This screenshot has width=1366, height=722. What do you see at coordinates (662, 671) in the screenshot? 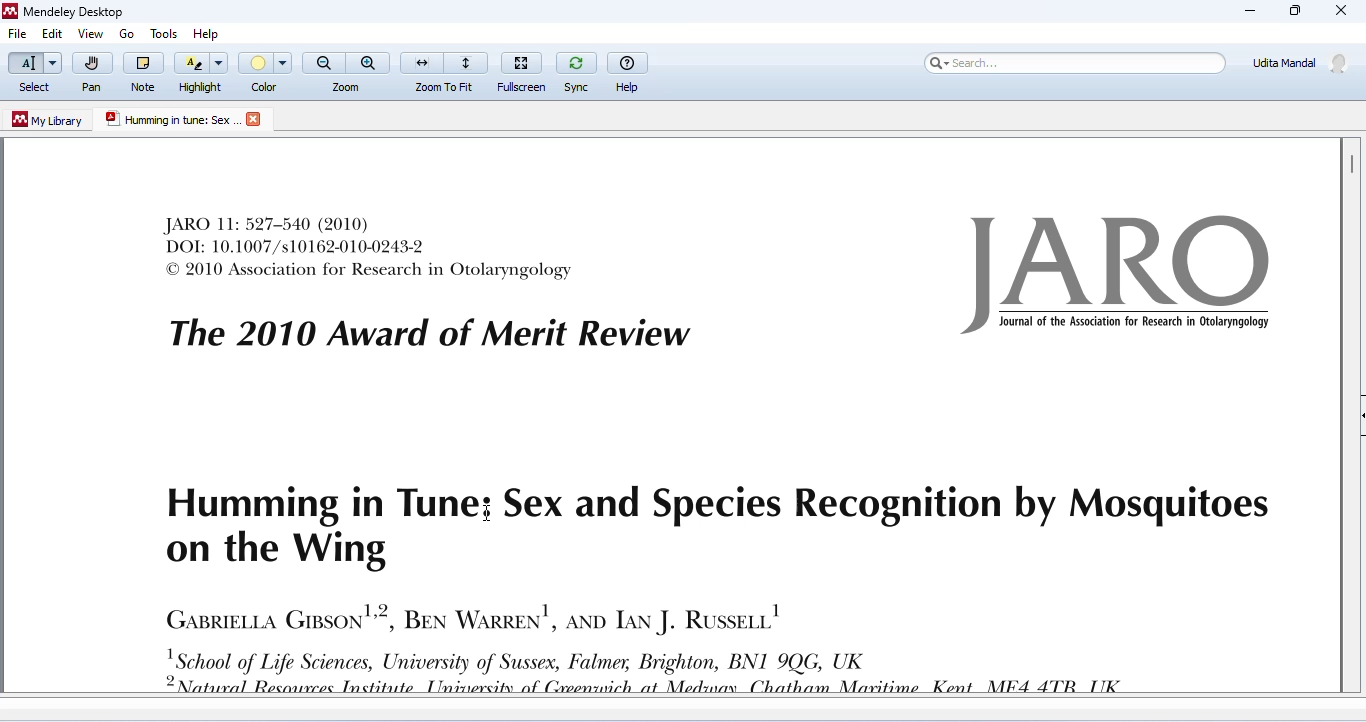
I see `“School of Life Sciences, University of Sussex, Falmer, Brighton, BN1 9QG, UK` at bounding box center [662, 671].